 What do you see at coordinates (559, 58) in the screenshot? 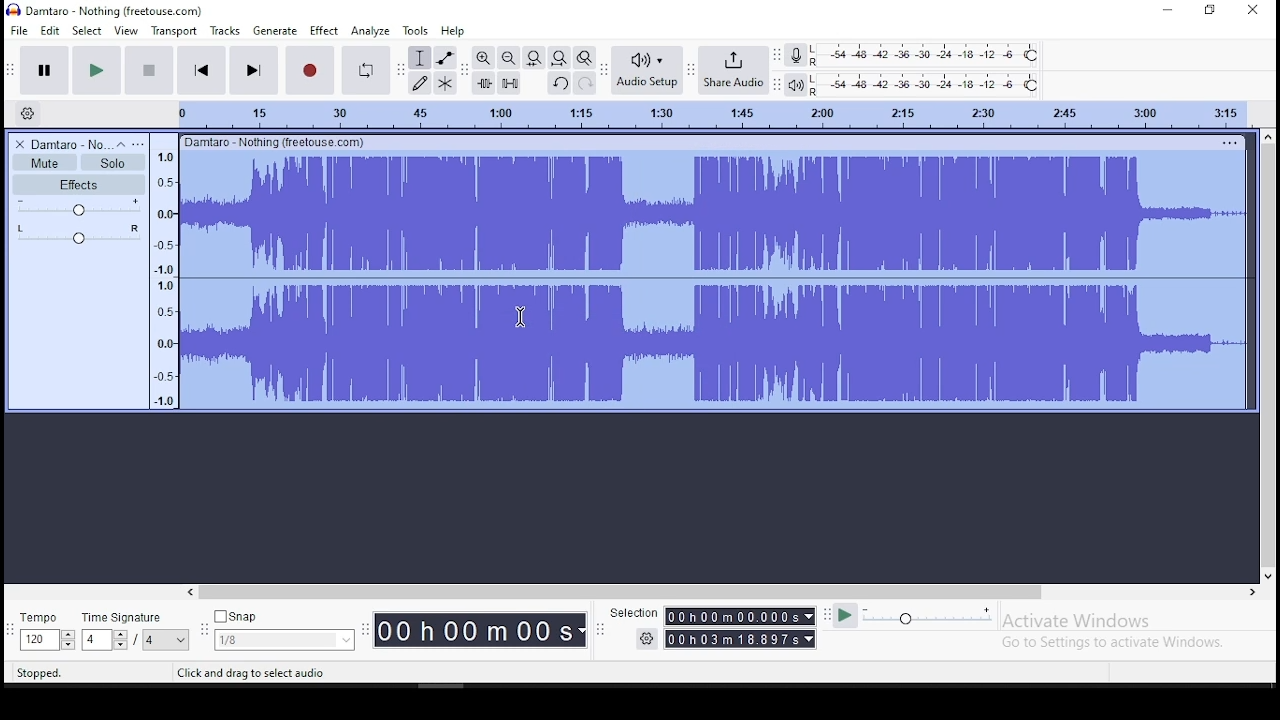
I see `fit project to width` at bounding box center [559, 58].